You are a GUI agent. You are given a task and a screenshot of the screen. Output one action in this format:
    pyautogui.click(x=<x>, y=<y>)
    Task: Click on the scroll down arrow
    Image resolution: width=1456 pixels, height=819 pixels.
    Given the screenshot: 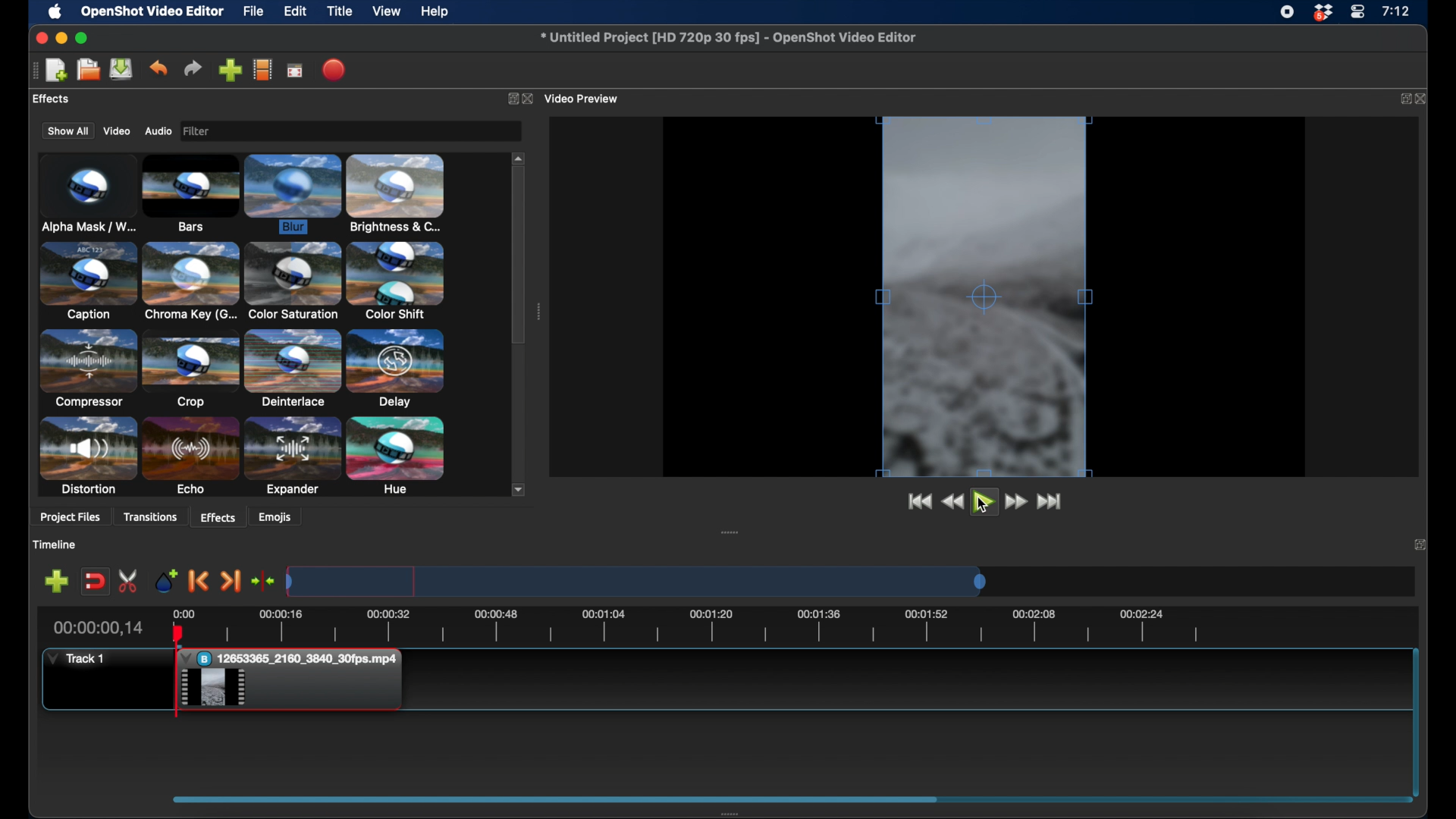 What is the action you would take?
    pyautogui.click(x=519, y=489)
    